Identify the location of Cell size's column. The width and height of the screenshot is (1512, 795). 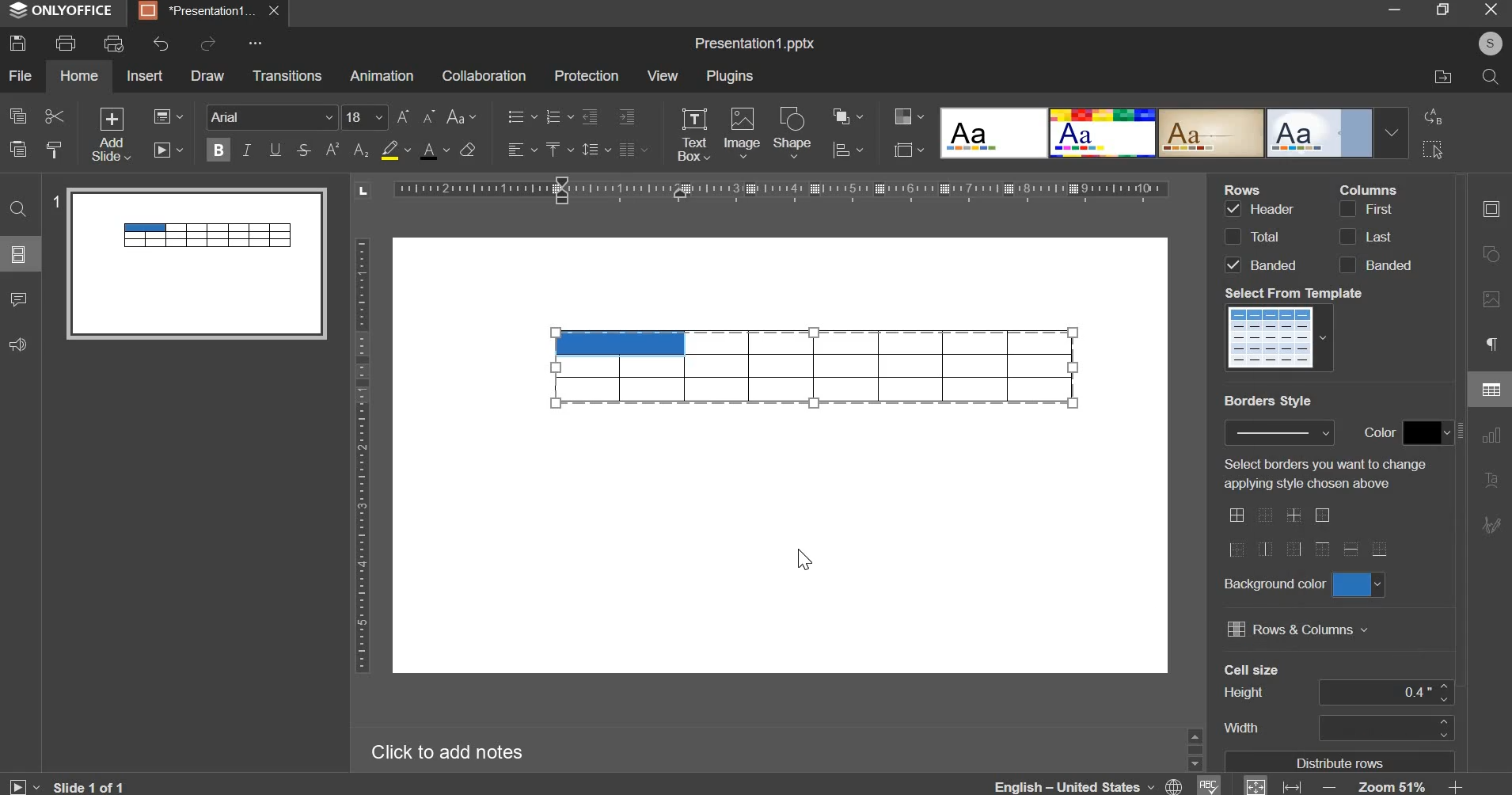
(1252, 700).